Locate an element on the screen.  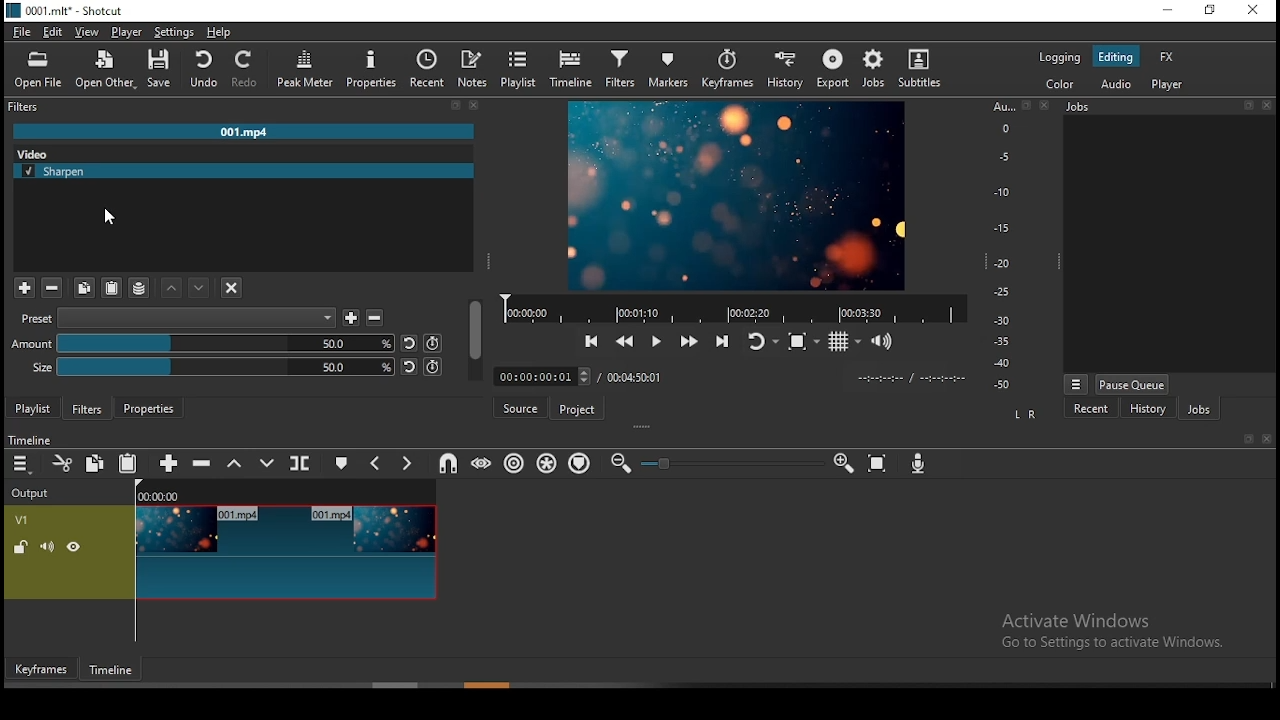
scrub while dragging is located at coordinates (482, 464).